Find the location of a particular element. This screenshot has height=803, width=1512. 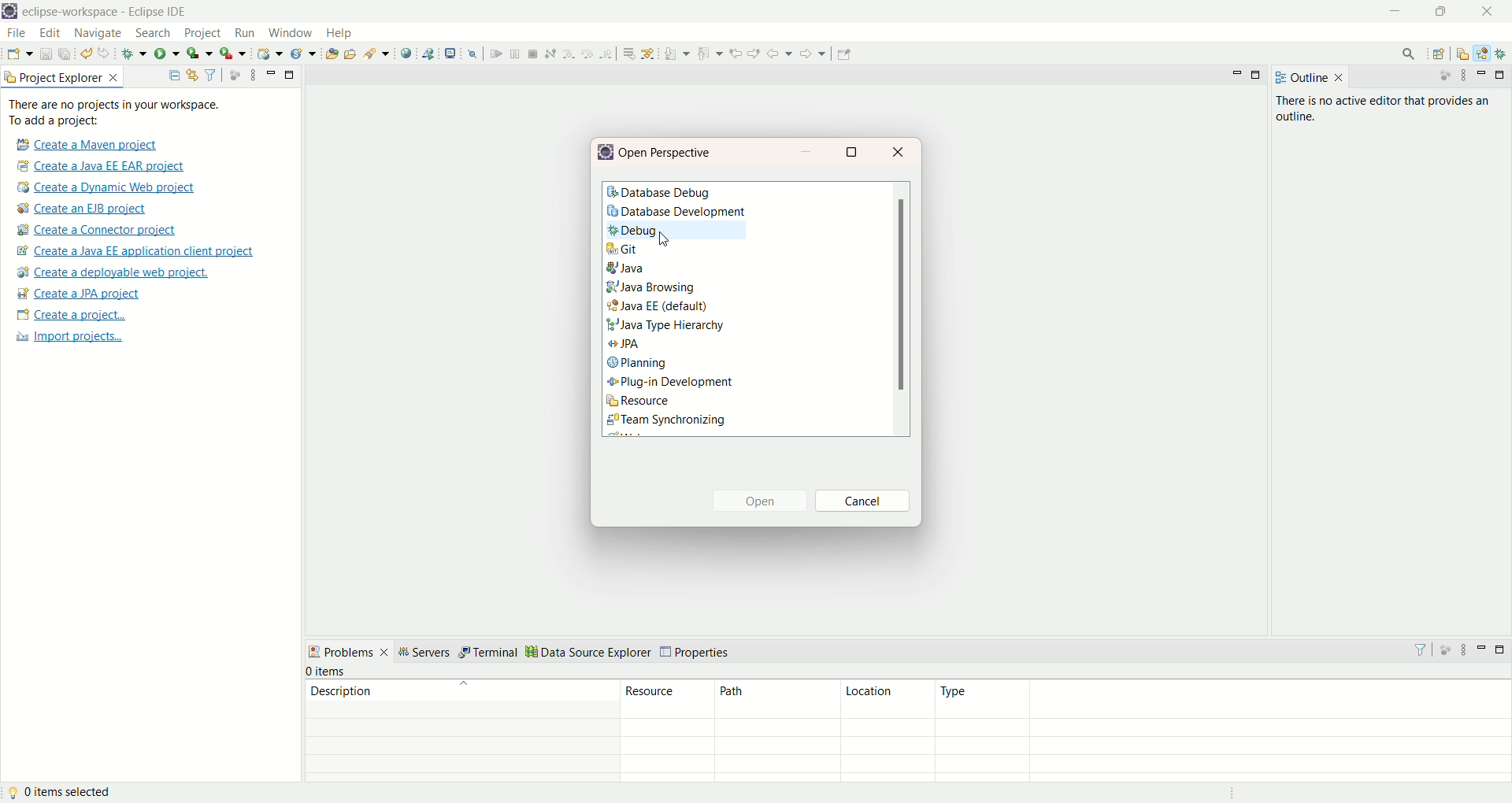

coverage is located at coordinates (198, 54).